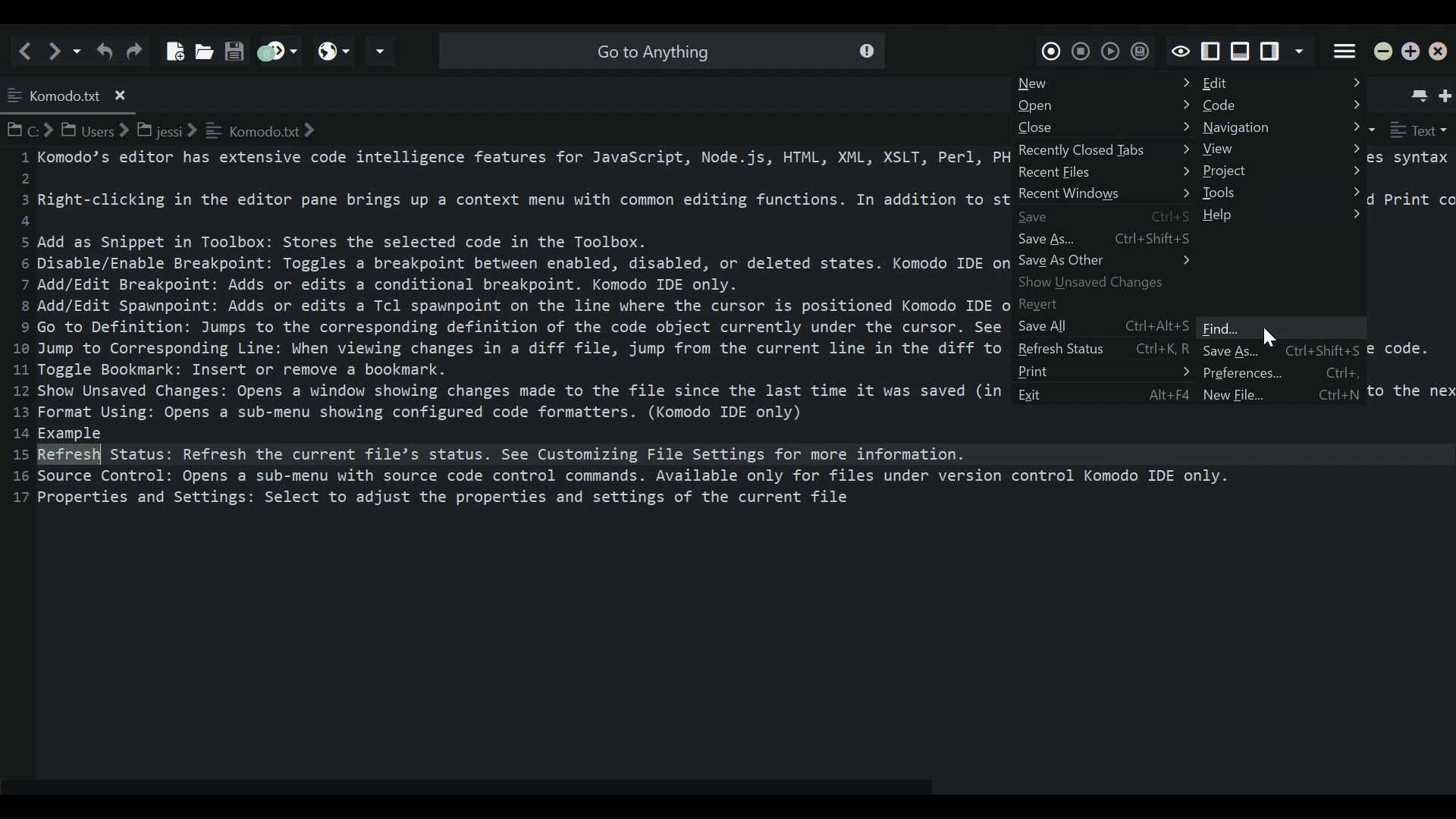 This screenshot has width=1456, height=819. Describe the element at coordinates (1109, 50) in the screenshot. I see `Play Last Macro` at that location.